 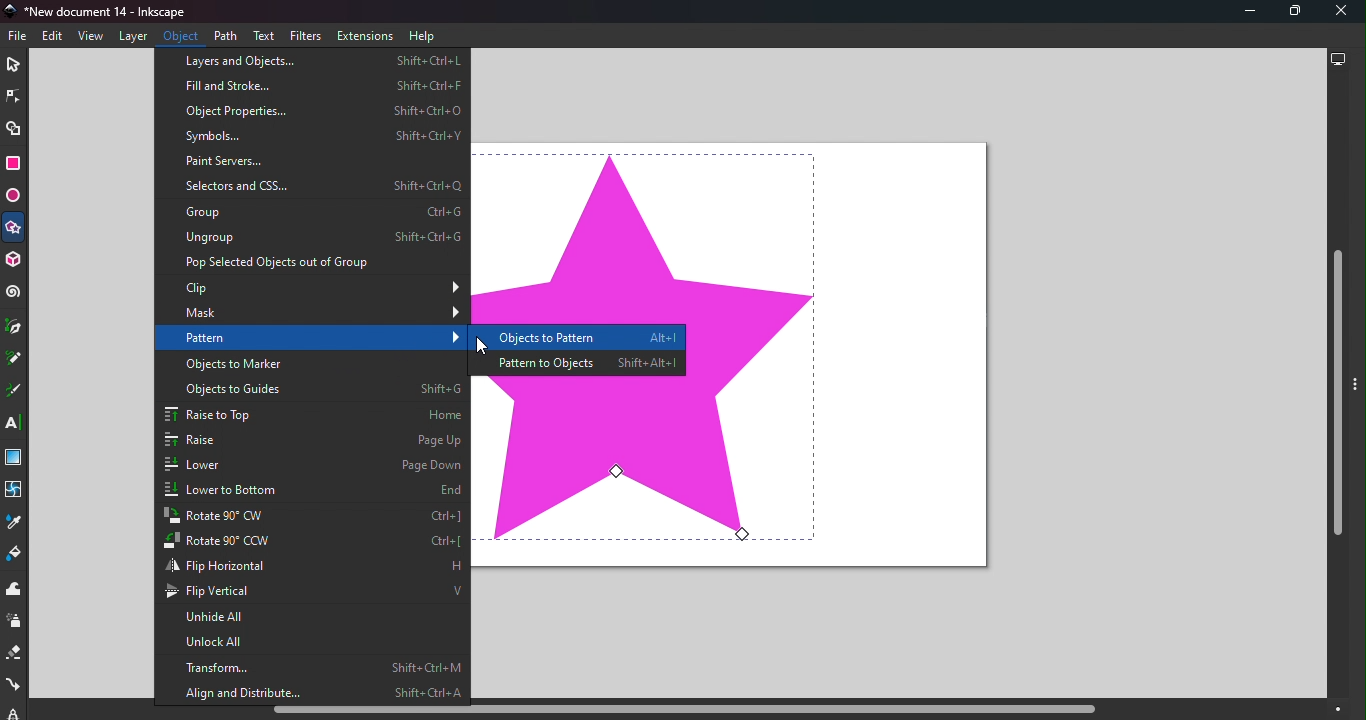 What do you see at coordinates (750, 352) in the screenshot?
I see `shape` at bounding box center [750, 352].